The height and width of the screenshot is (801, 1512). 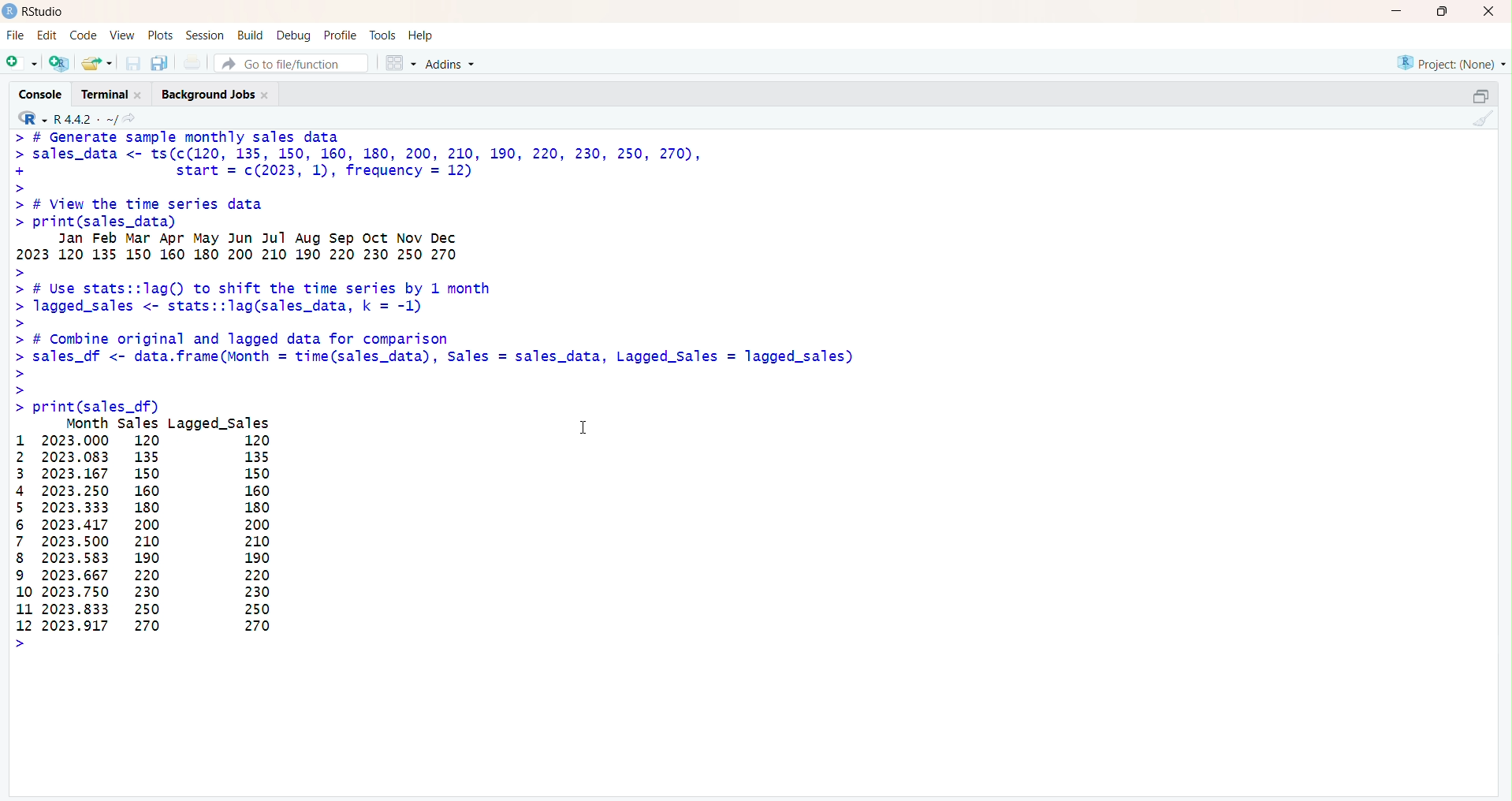 I want to click on session, so click(x=205, y=35).